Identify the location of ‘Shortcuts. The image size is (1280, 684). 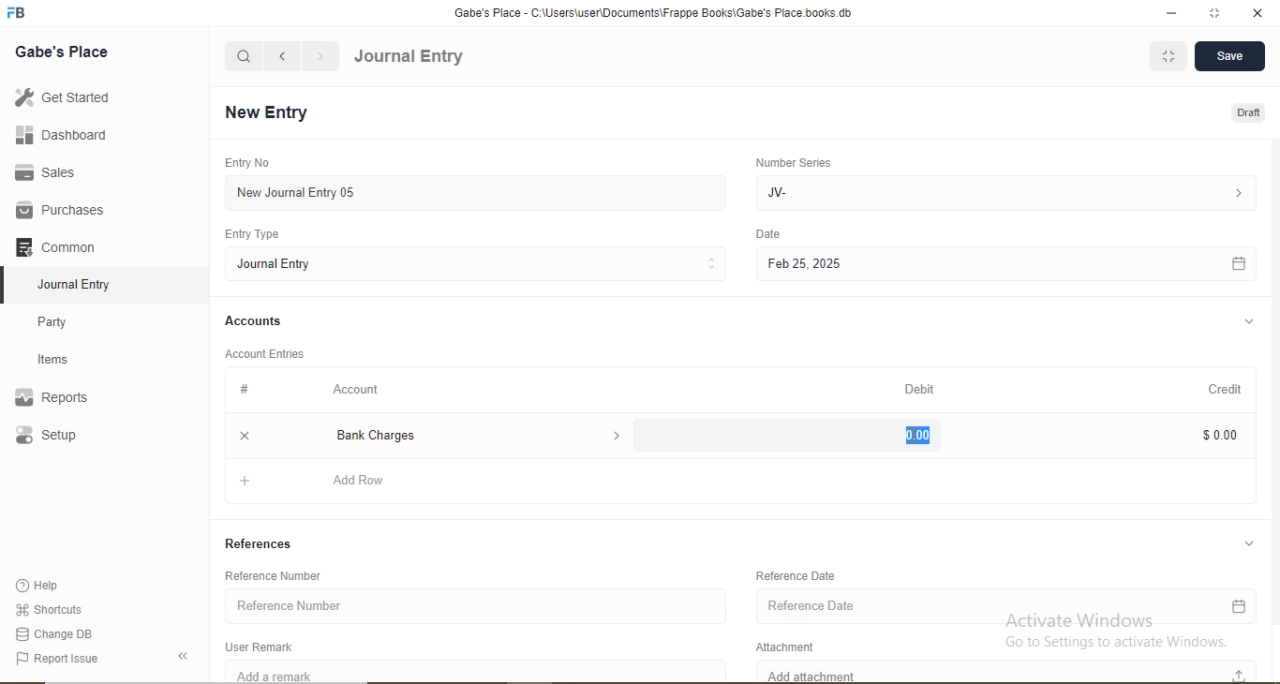
(51, 608).